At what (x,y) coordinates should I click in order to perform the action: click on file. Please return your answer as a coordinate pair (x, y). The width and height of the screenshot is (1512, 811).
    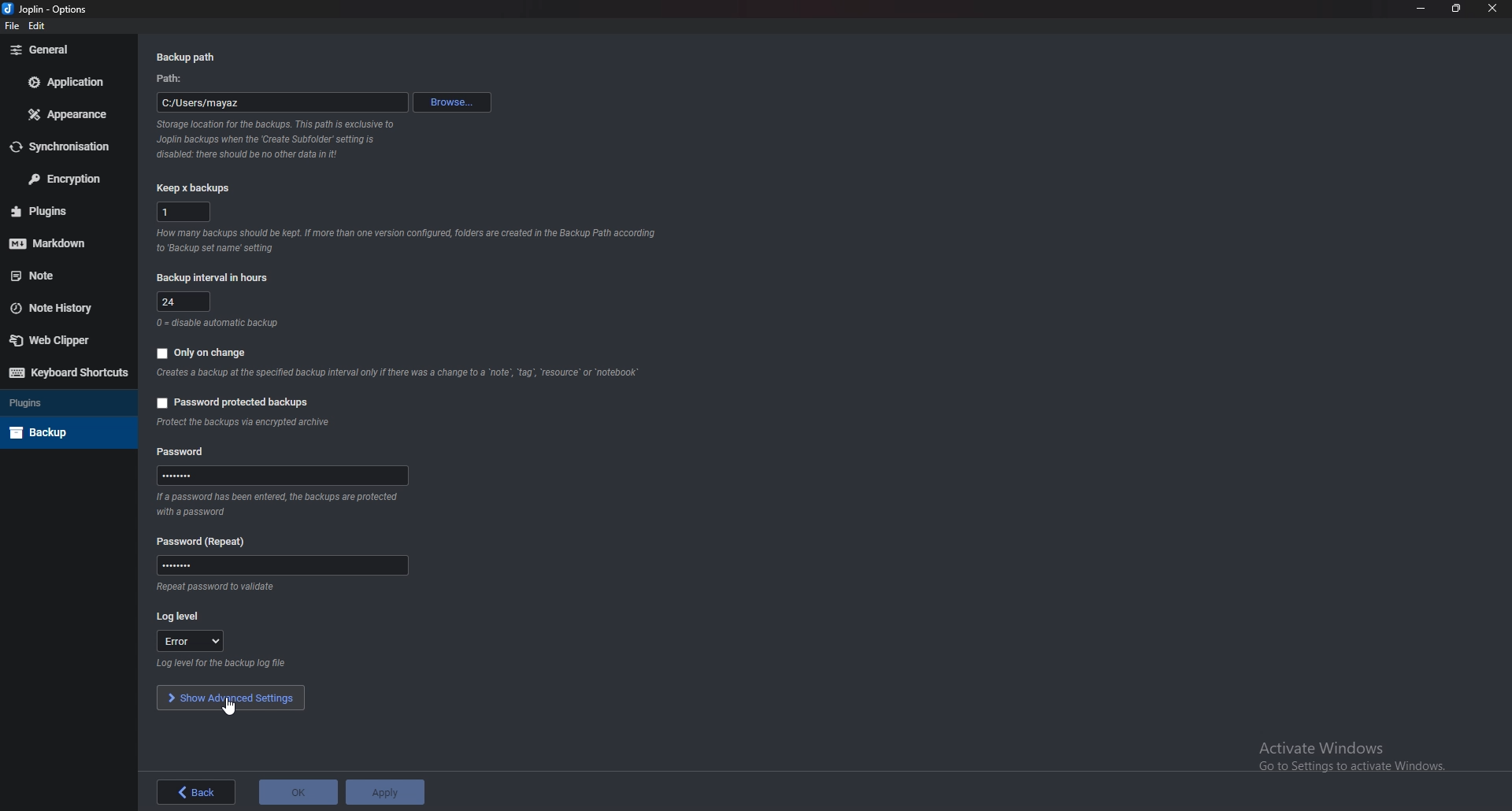
    Looking at the image, I should click on (13, 27).